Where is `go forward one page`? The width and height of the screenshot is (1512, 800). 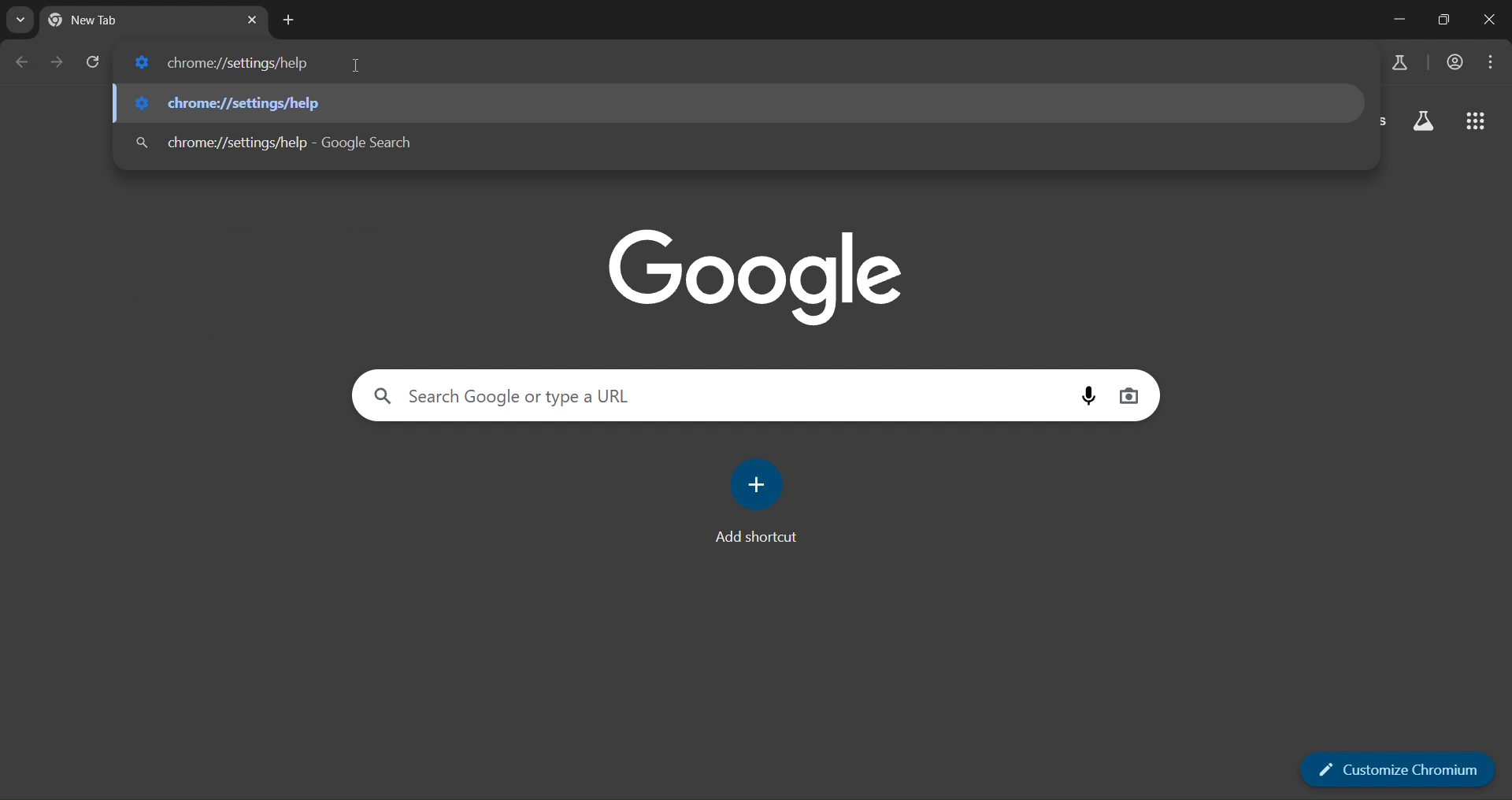 go forward one page is located at coordinates (60, 64).